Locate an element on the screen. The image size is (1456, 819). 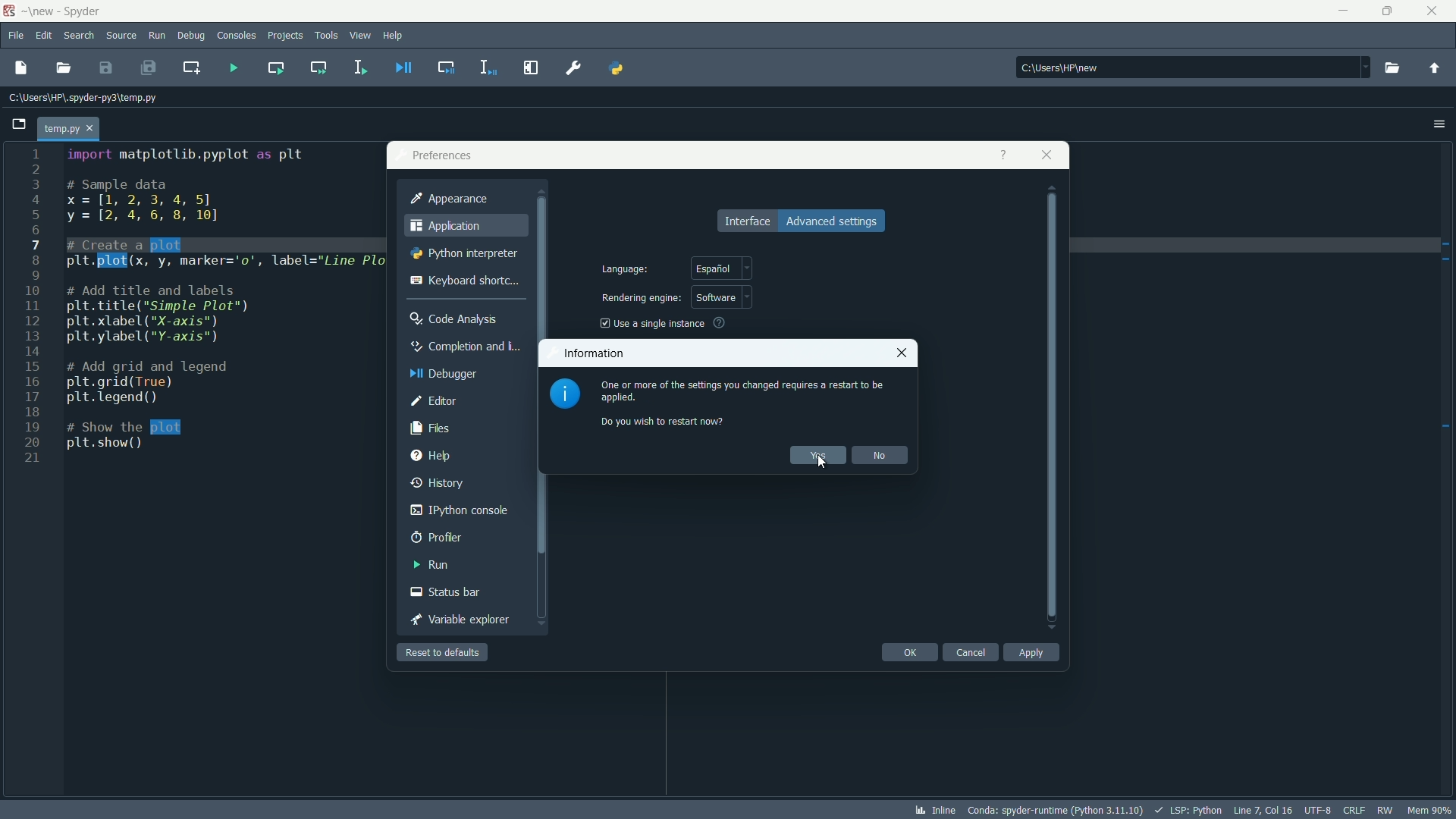
rendering engine is located at coordinates (639, 298).